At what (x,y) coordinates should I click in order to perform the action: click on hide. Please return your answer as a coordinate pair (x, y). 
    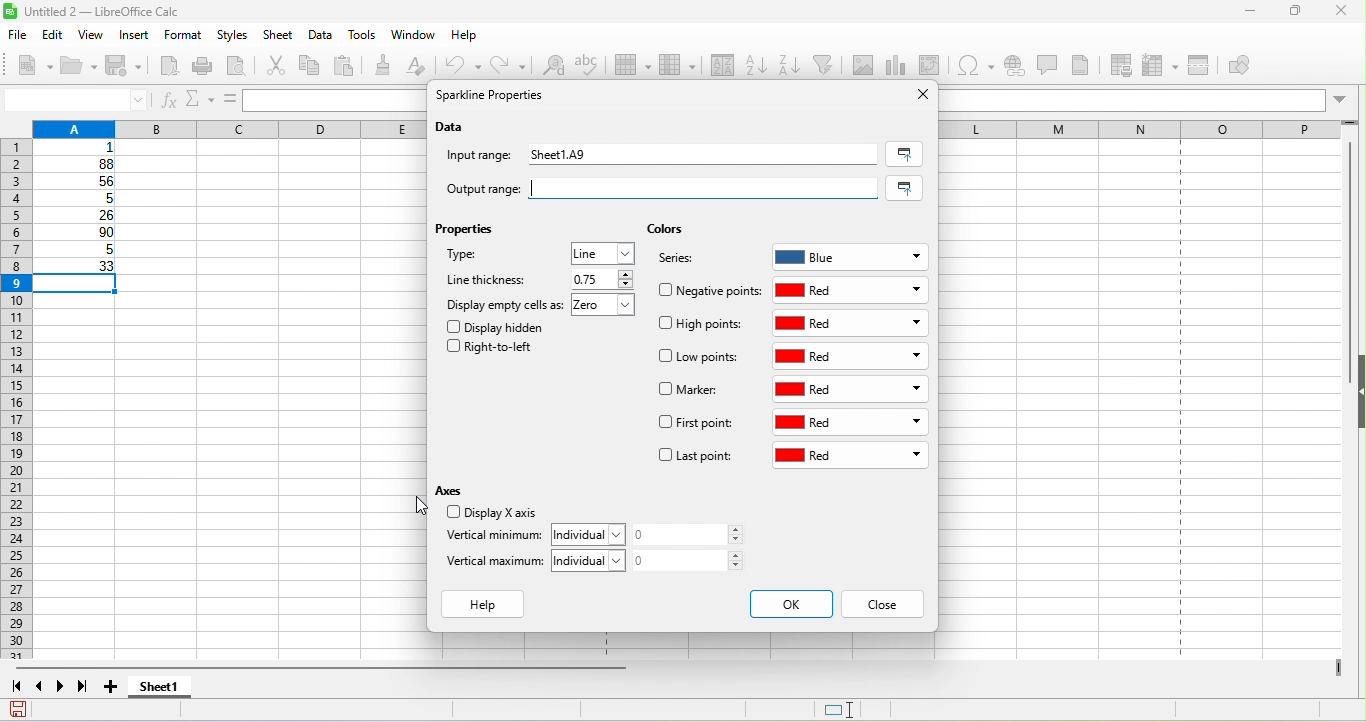
    Looking at the image, I should click on (1357, 393).